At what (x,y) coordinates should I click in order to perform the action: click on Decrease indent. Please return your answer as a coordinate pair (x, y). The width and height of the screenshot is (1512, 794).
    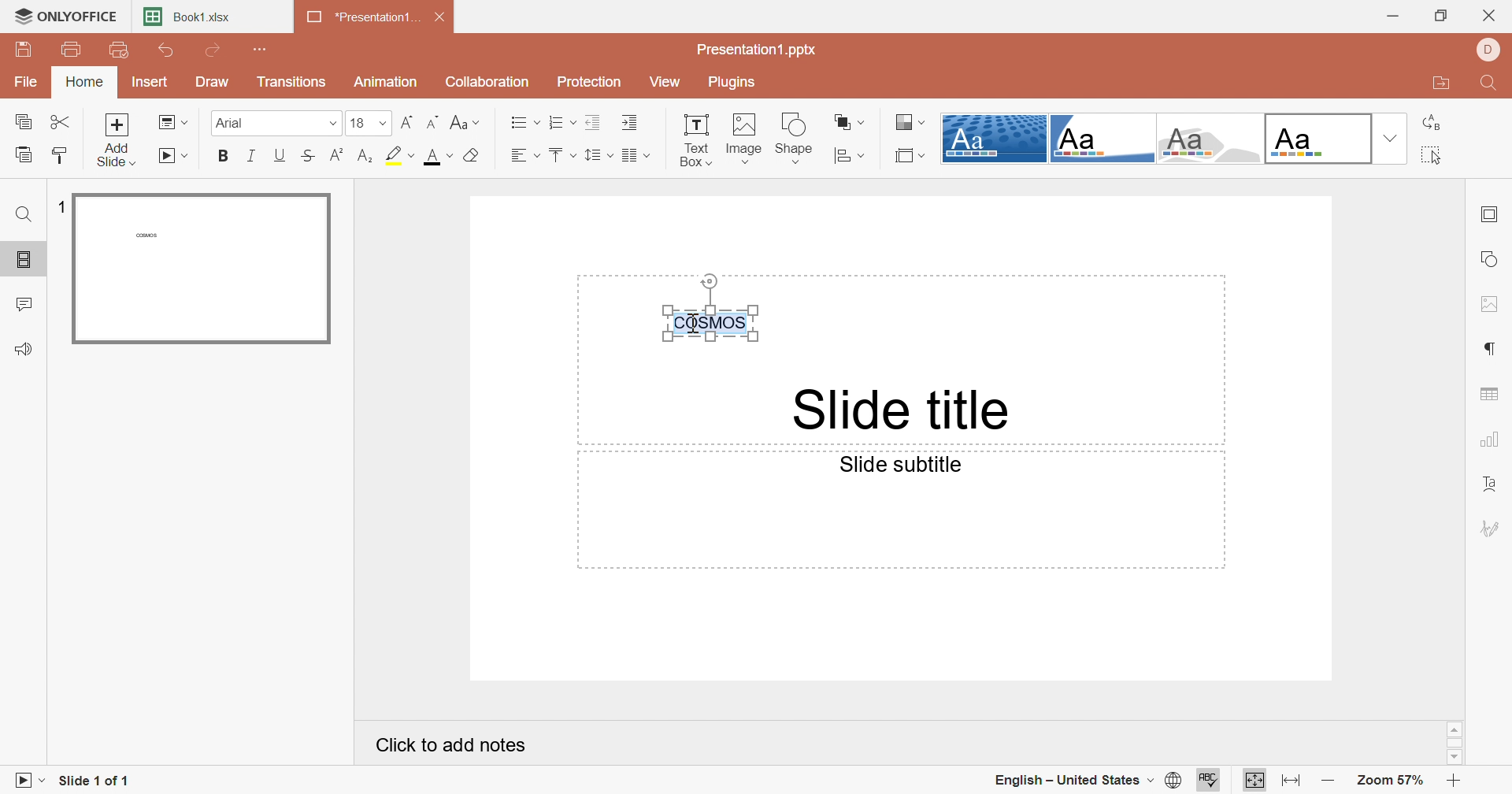
    Looking at the image, I should click on (594, 123).